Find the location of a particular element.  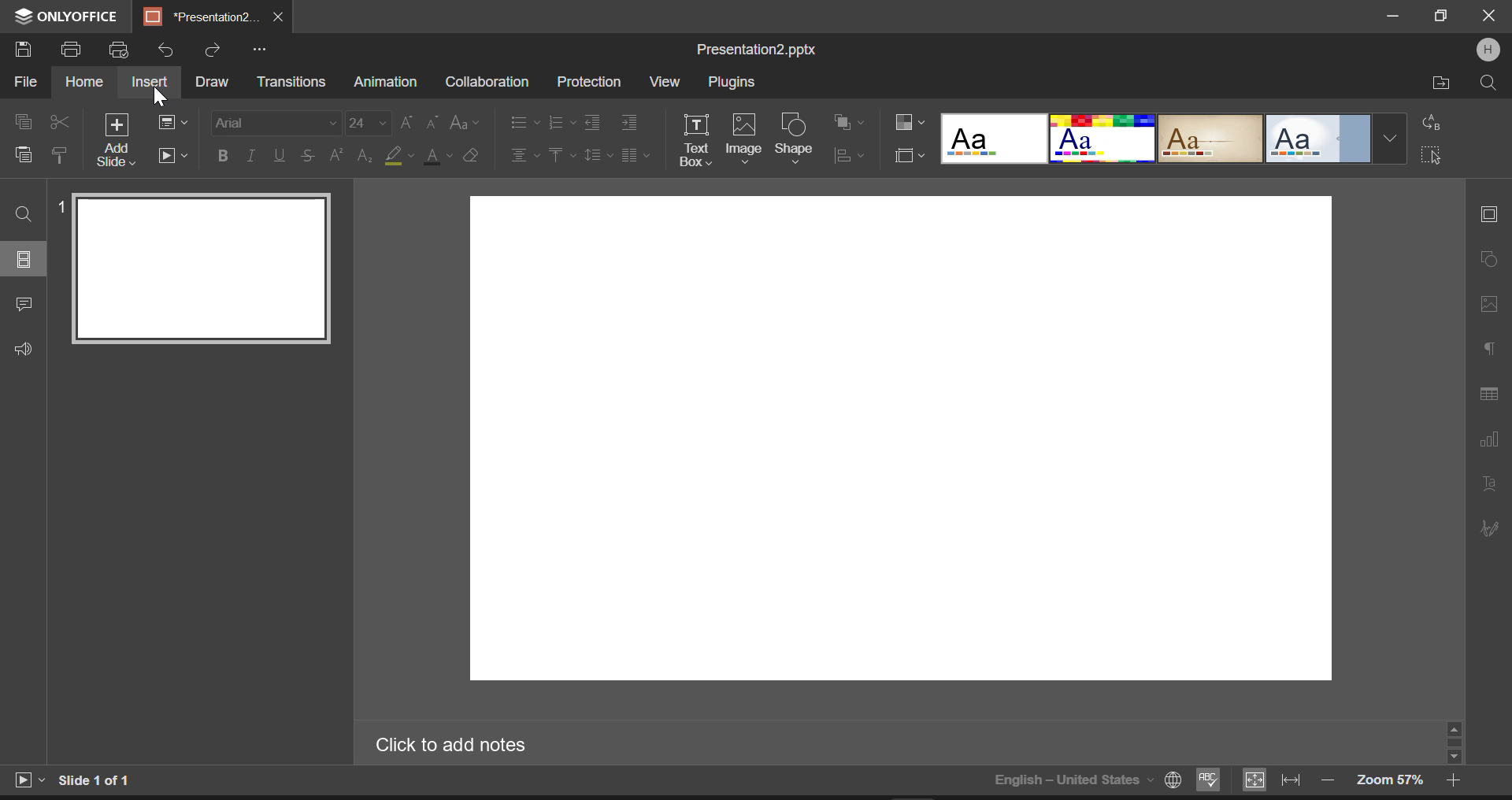

strikethrough is located at coordinates (308, 155).